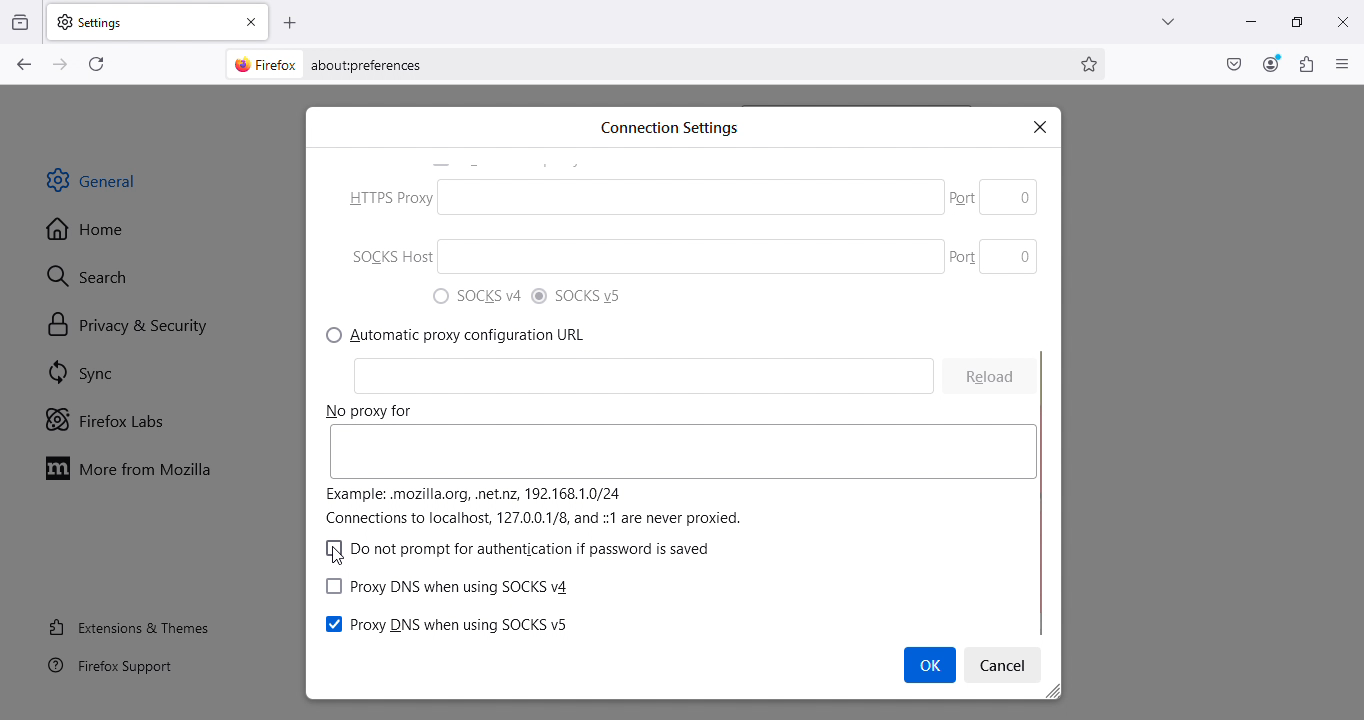 Image resolution: width=1364 pixels, height=720 pixels. I want to click on General, so click(98, 179).